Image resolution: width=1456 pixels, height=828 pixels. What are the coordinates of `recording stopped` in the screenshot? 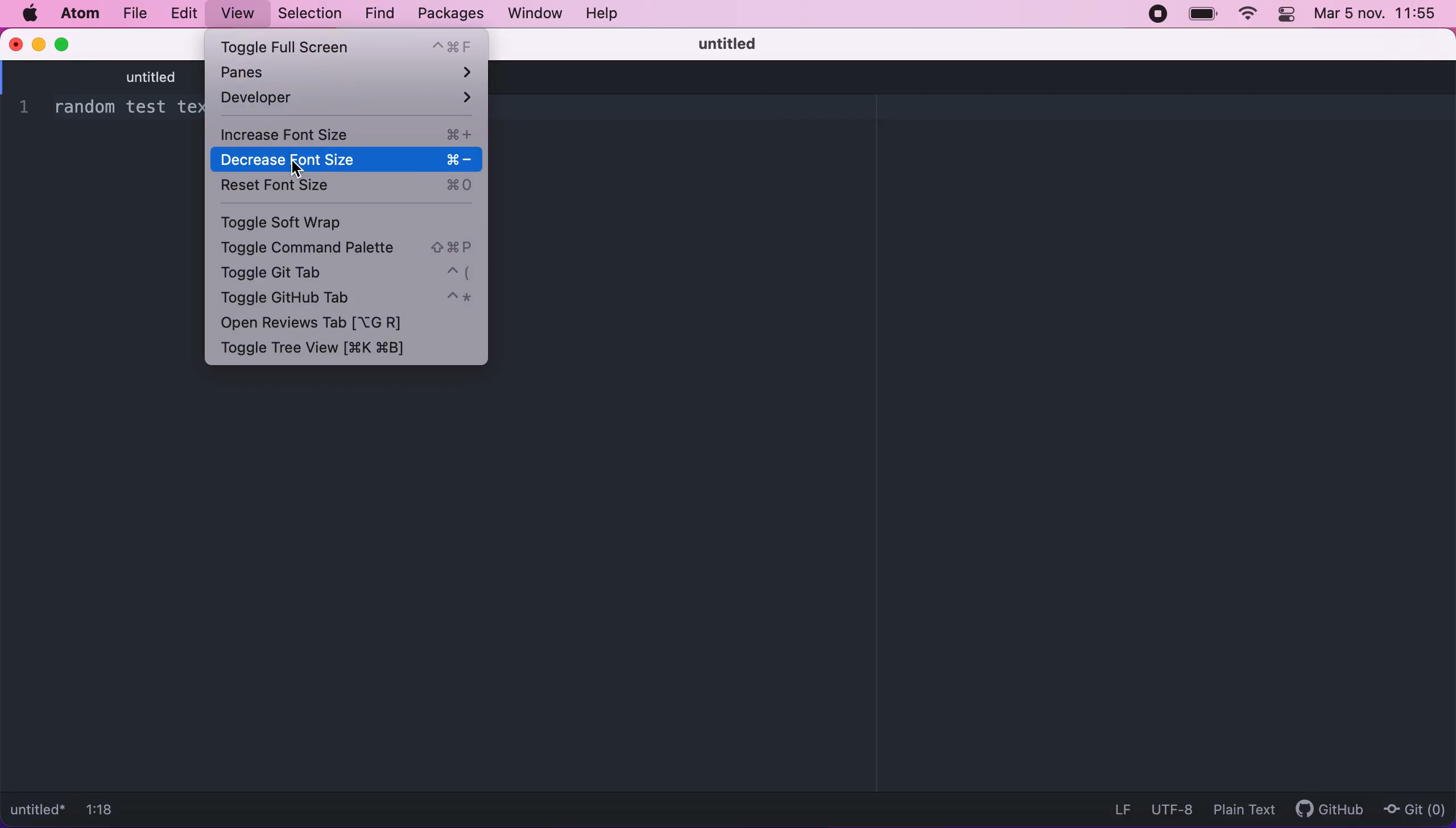 It's located at (1155, 15).